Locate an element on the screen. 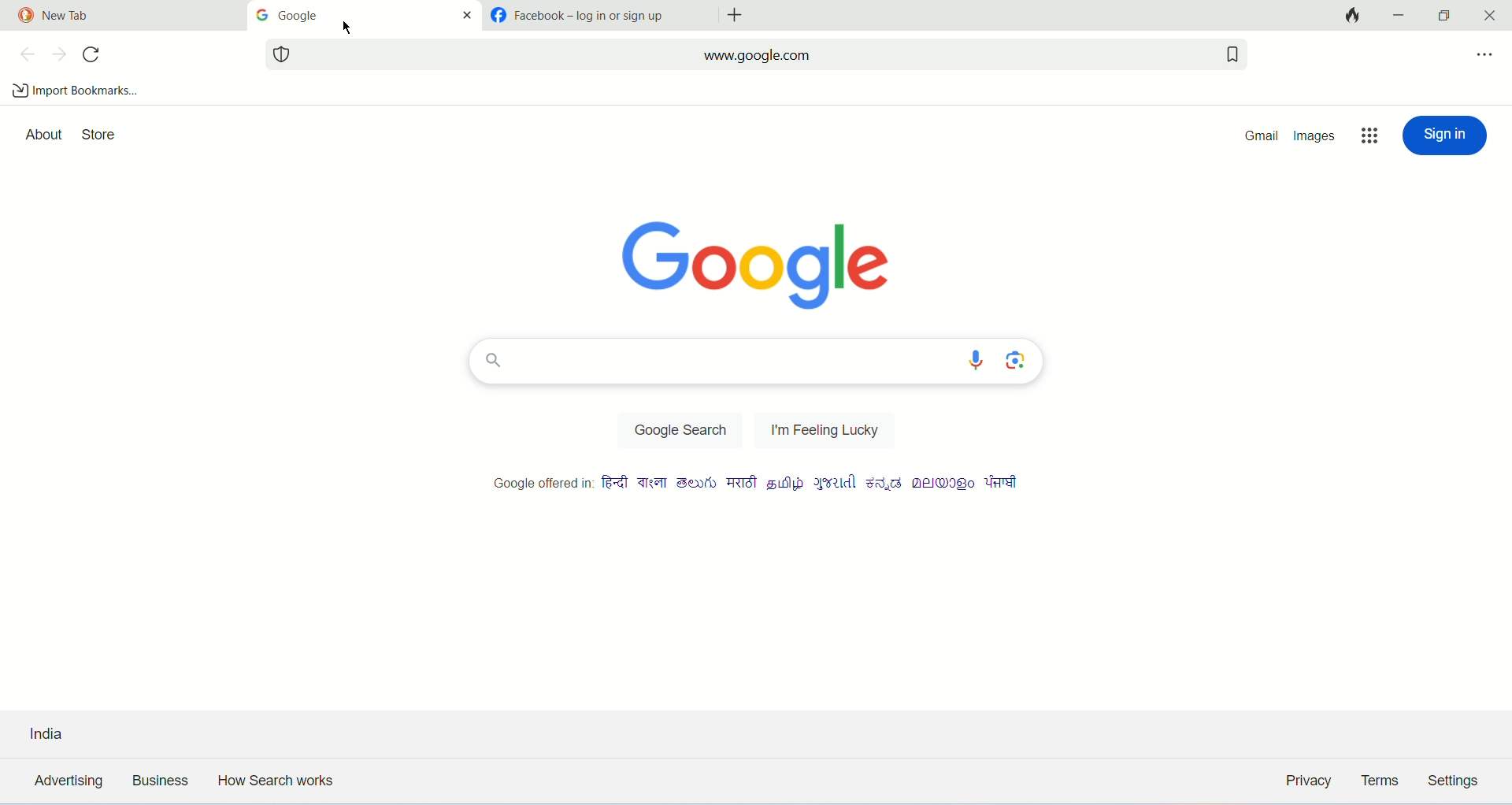  how search works is located at coordinates (278, 782).